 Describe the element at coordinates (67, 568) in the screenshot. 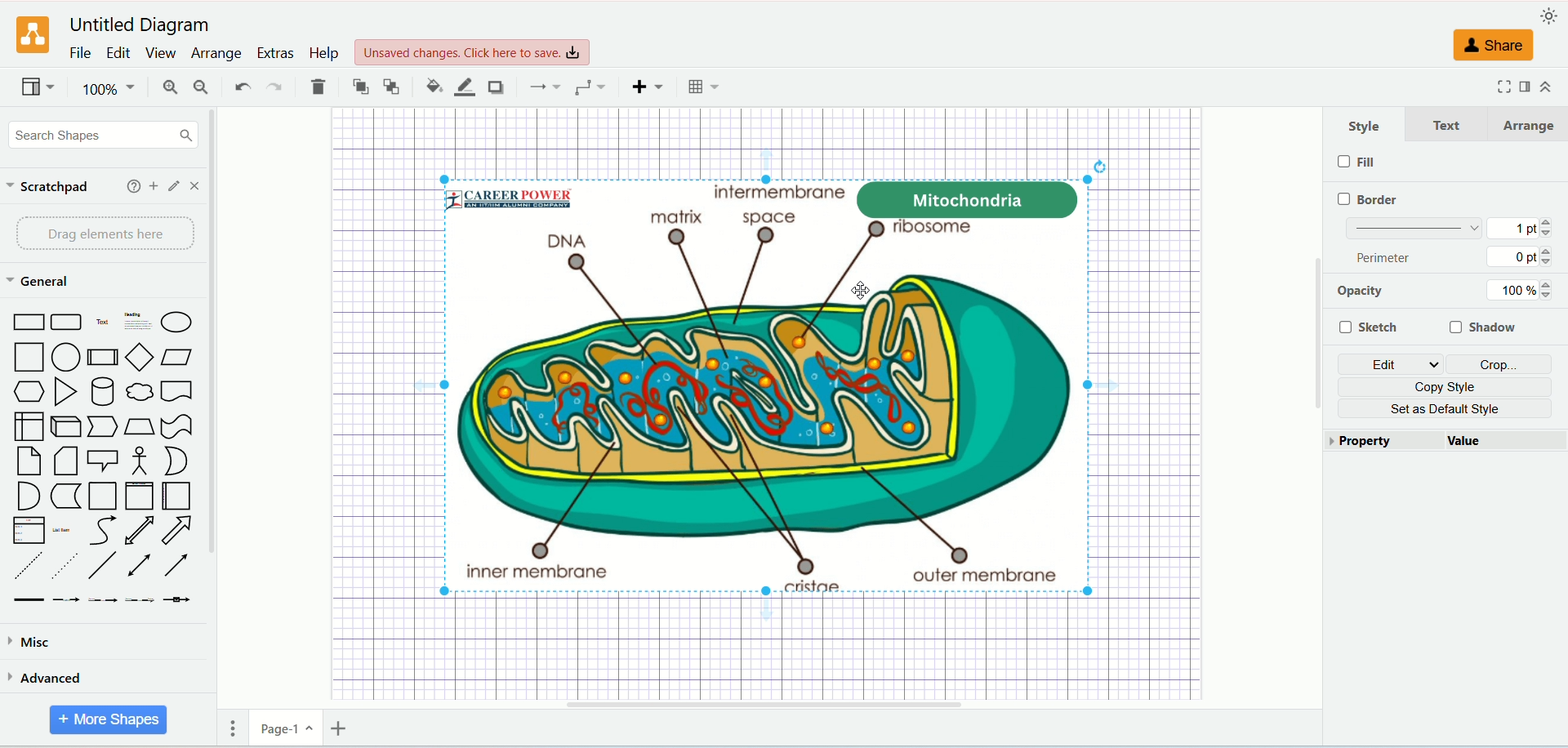

I see `Dotted Line` at that location.